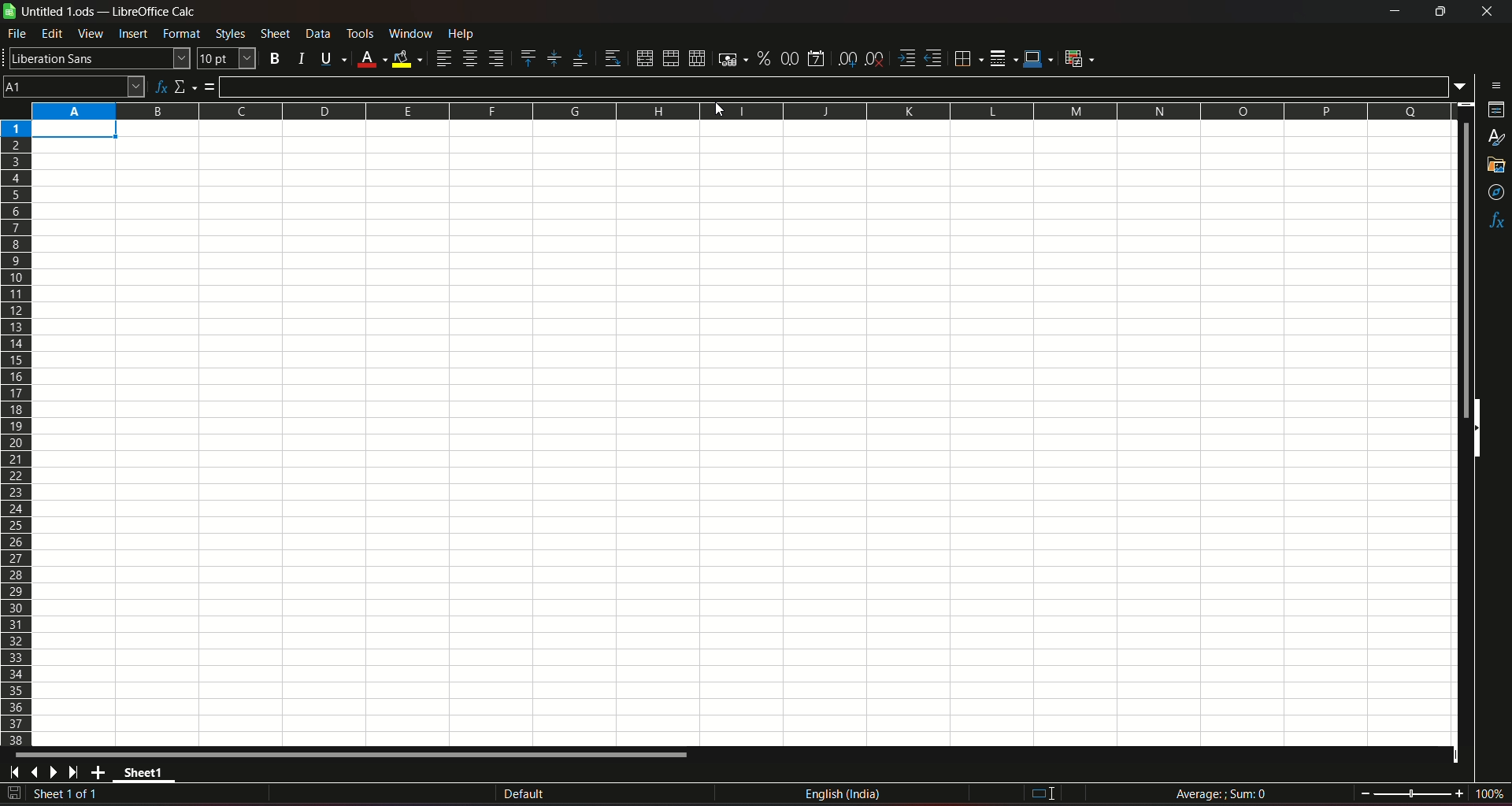  What do you see at coordinates (98, 59) in the screenshot?
I see `font styles` at bounding box center [98, 59].